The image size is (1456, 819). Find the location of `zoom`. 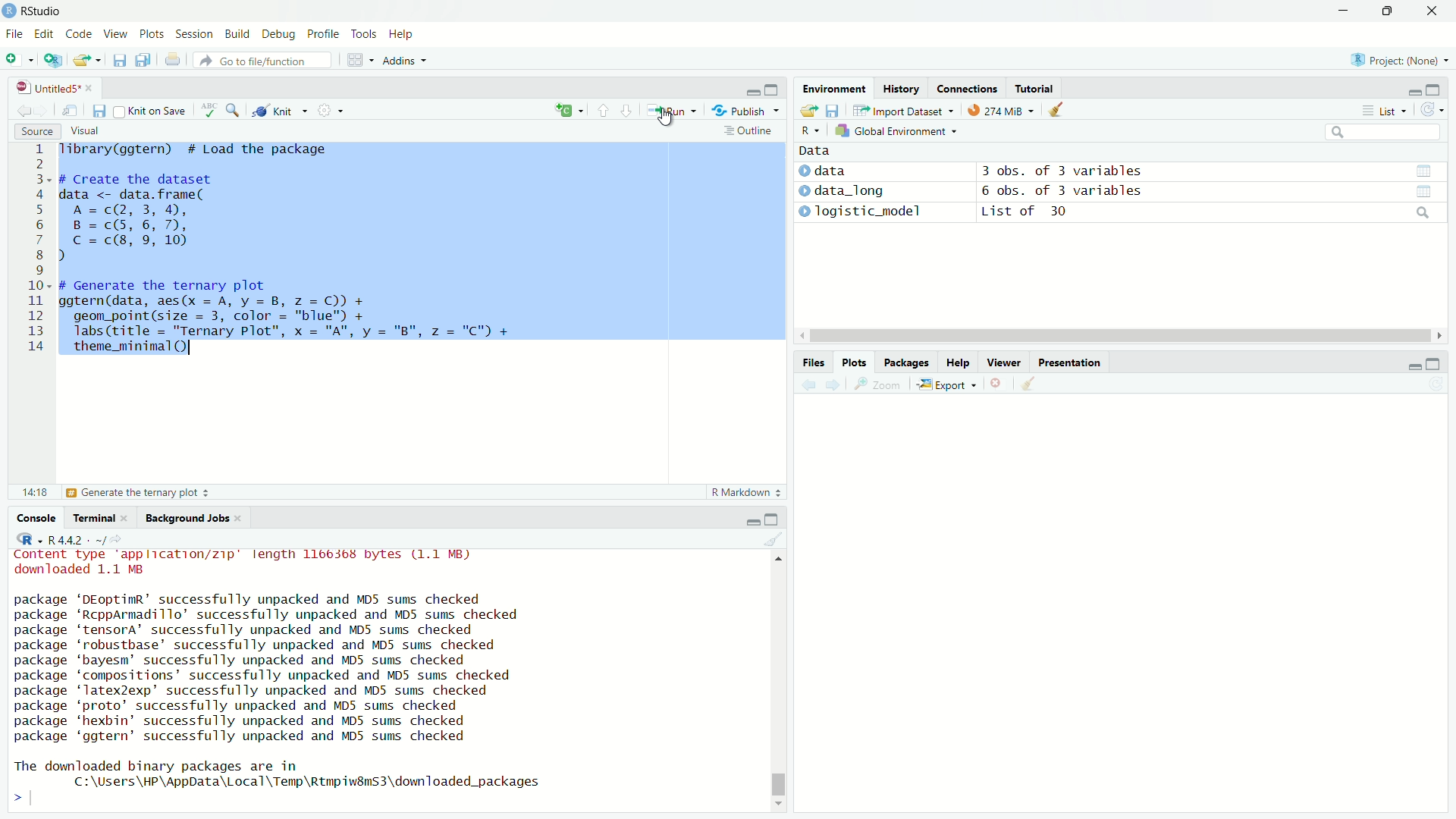

zoom is located at coordinates (880, 388).